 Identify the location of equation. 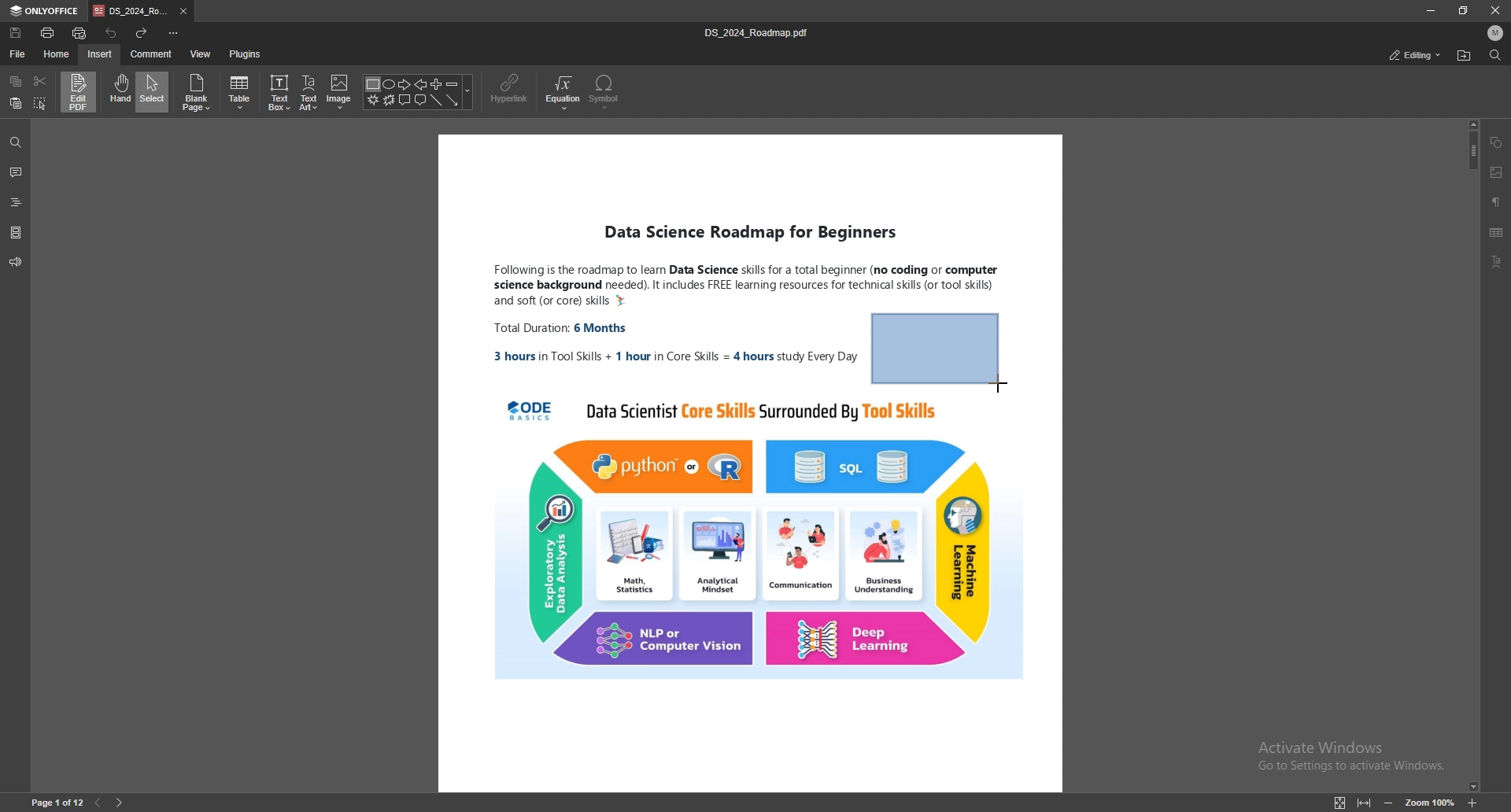
(564, 92).